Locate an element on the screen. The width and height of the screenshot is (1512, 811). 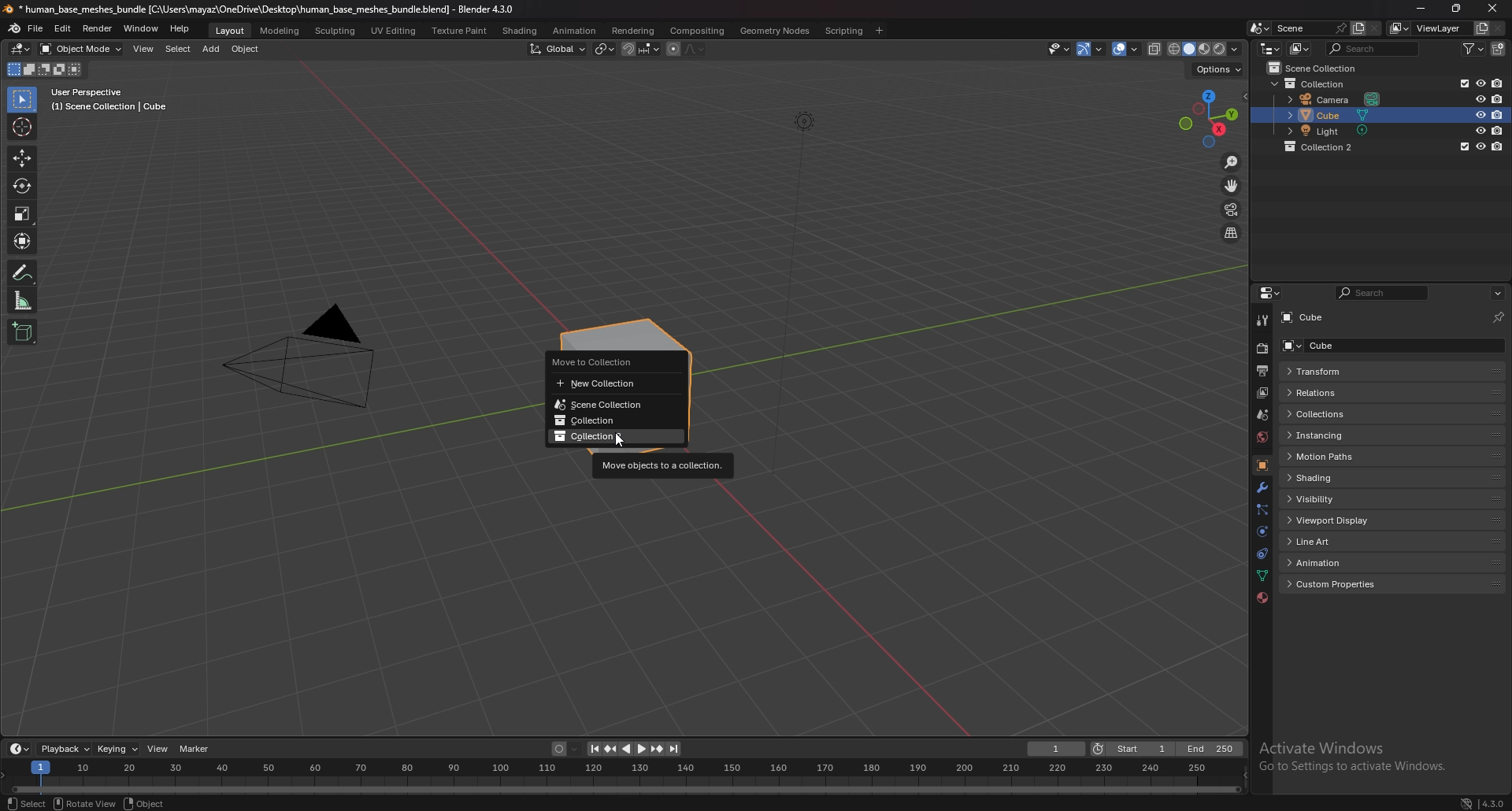
filter is located at coordinates (1474, 49).